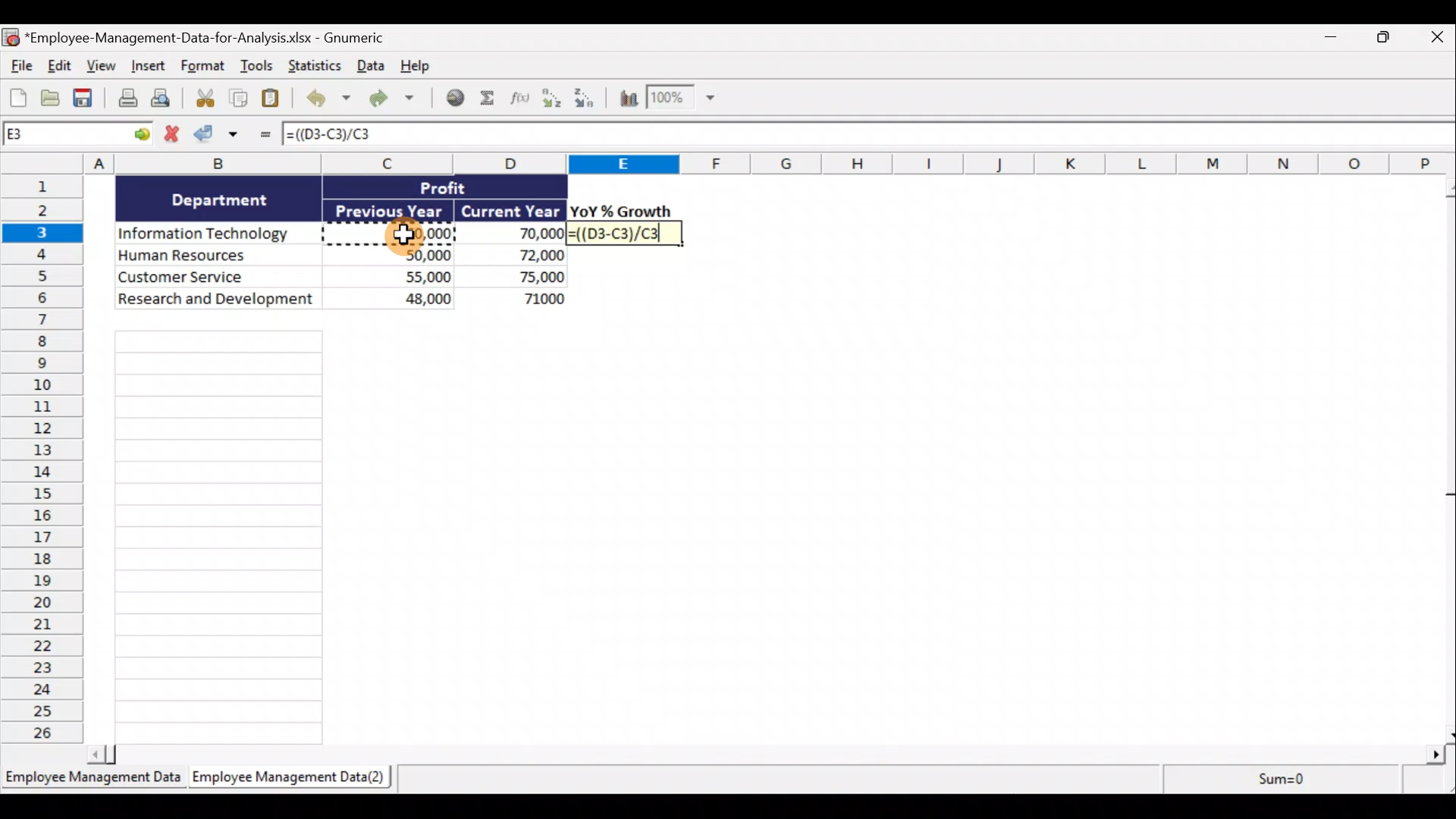  I want to click on Help, so click(415, 67).